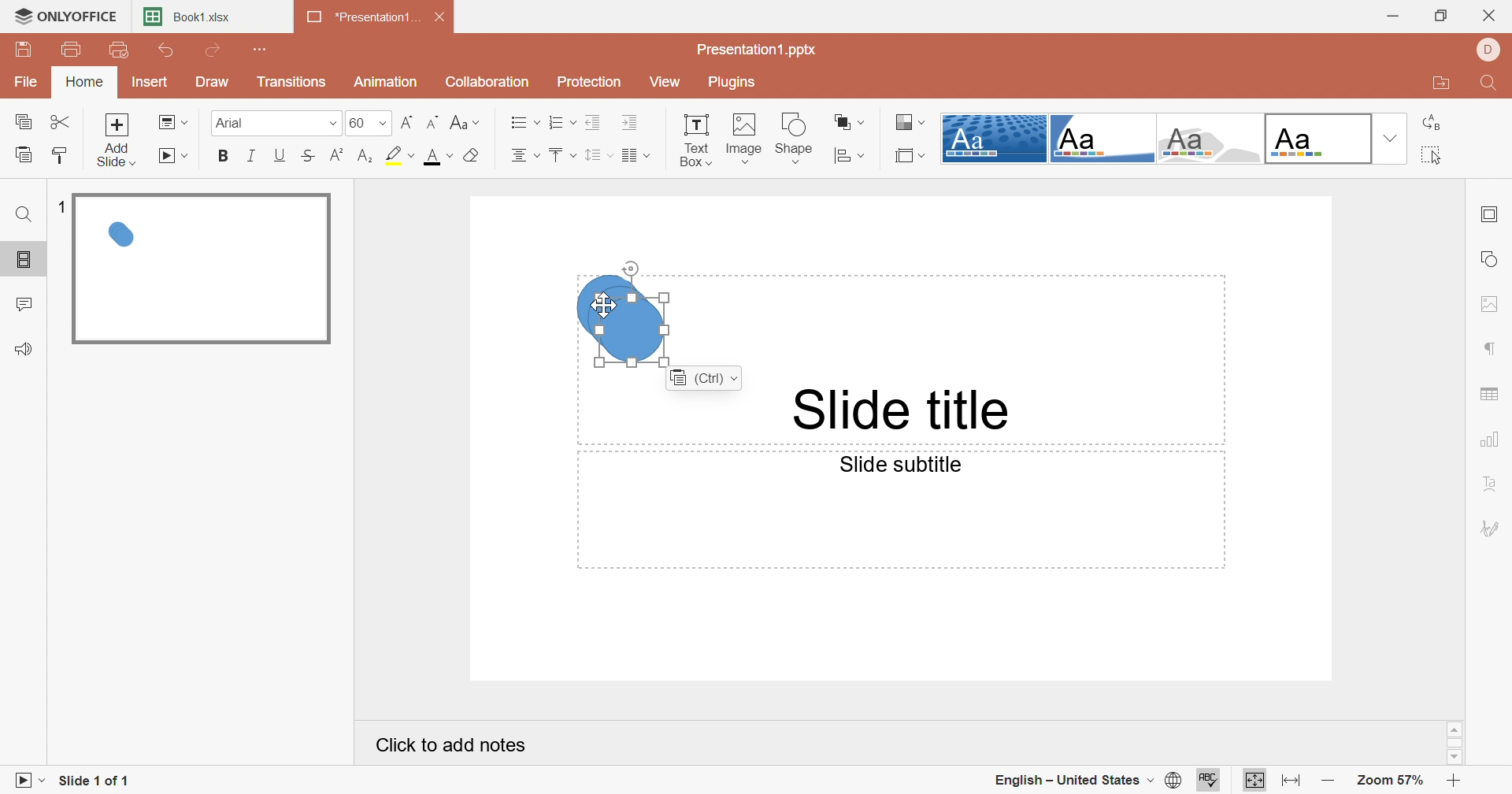 The height and width of the screenshot is (794, 1512). I want to click on Open file location, so click(1437, 84).